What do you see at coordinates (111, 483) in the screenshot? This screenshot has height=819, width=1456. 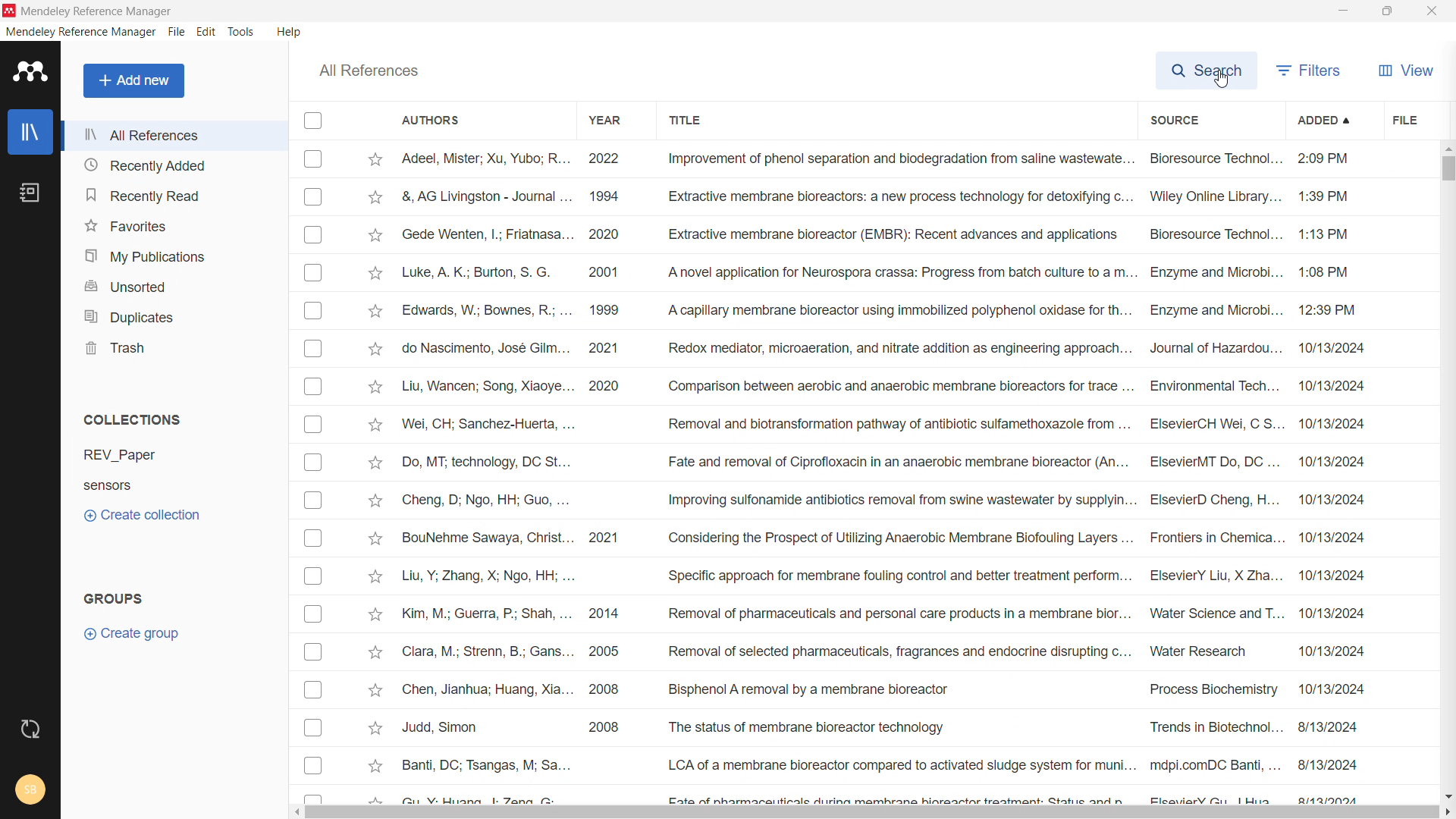 I see `Sensors` at bounding box center [111, 483].